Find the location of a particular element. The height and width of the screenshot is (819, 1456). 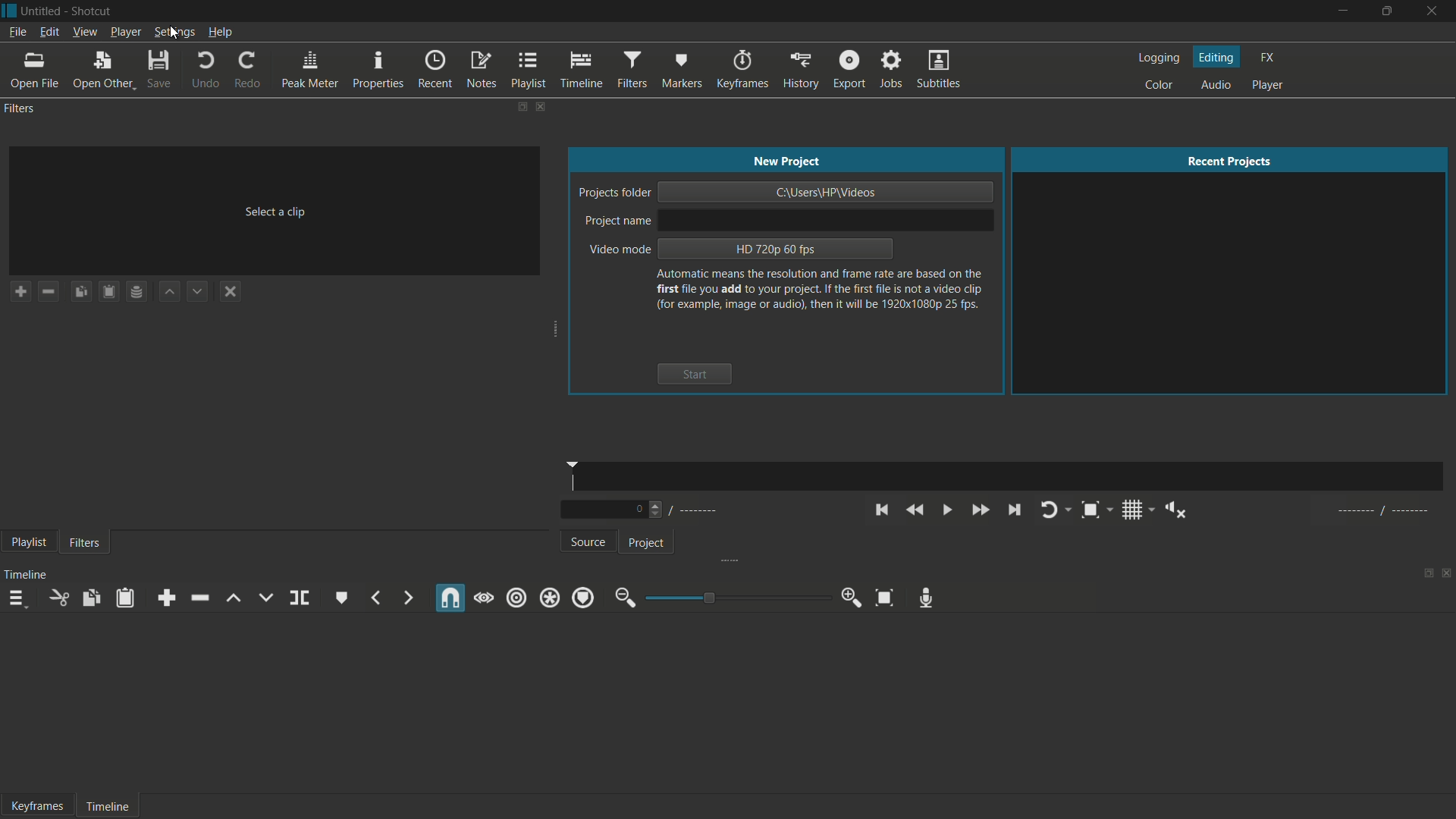

add a filter is located at coordinates (20, 291).